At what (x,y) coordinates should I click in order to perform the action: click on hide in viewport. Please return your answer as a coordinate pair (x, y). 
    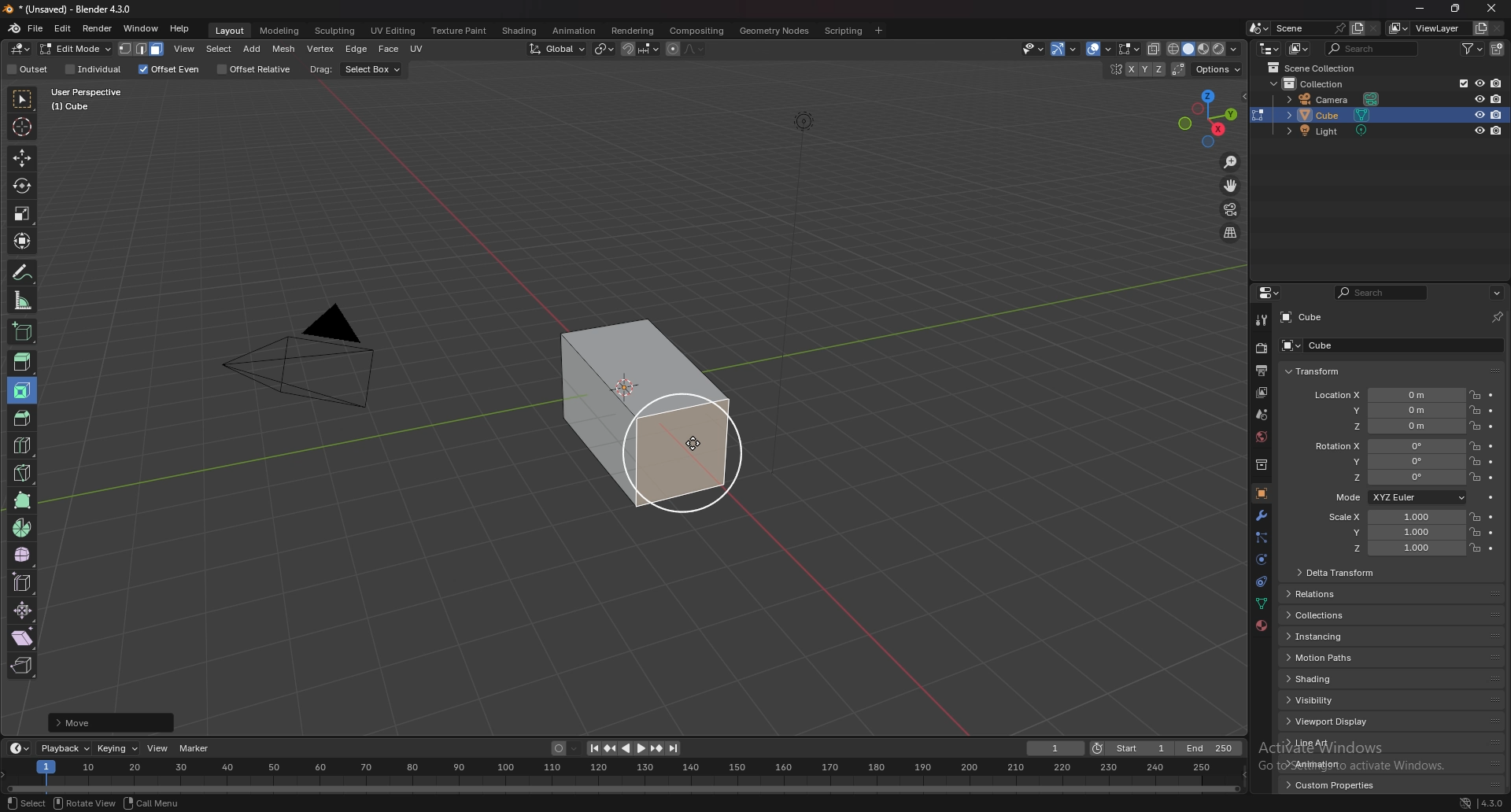
    Looking at the image, I should click on (1479, 97).